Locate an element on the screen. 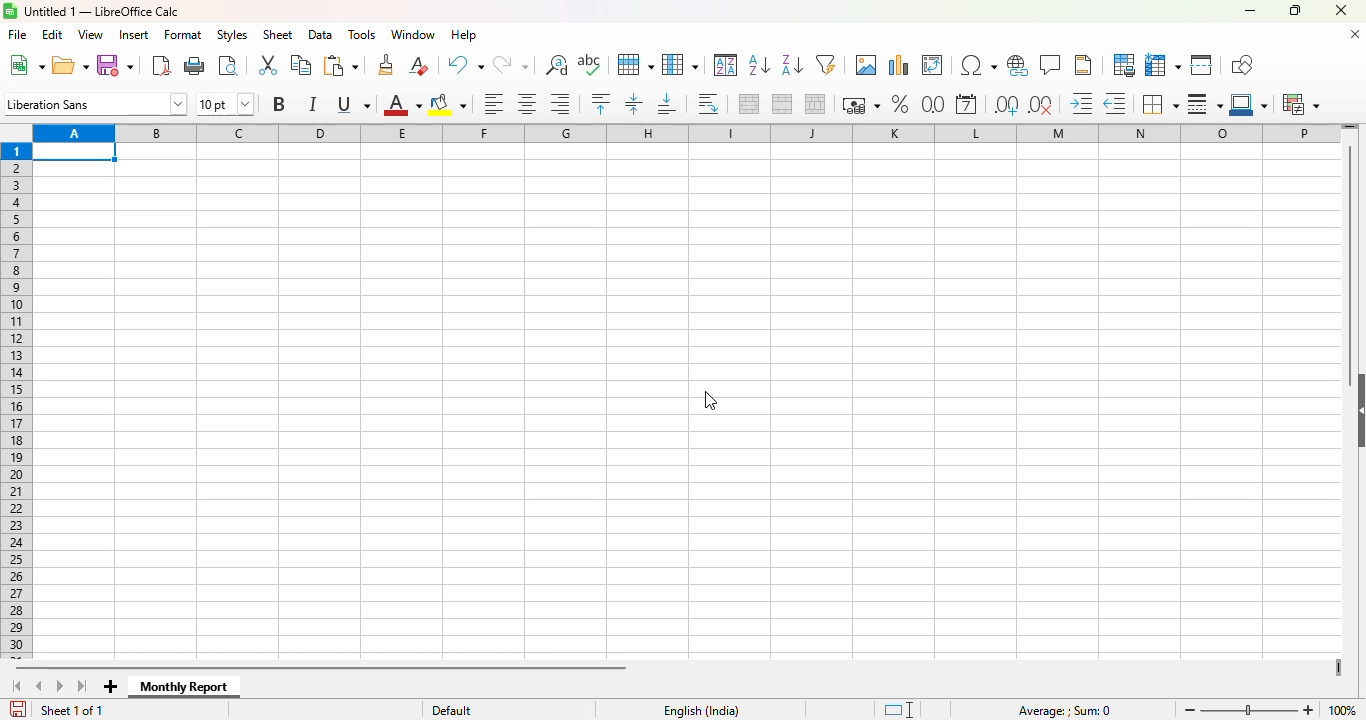 The image size is (1366, 720). conditional is located at coordinates (1299, 104).